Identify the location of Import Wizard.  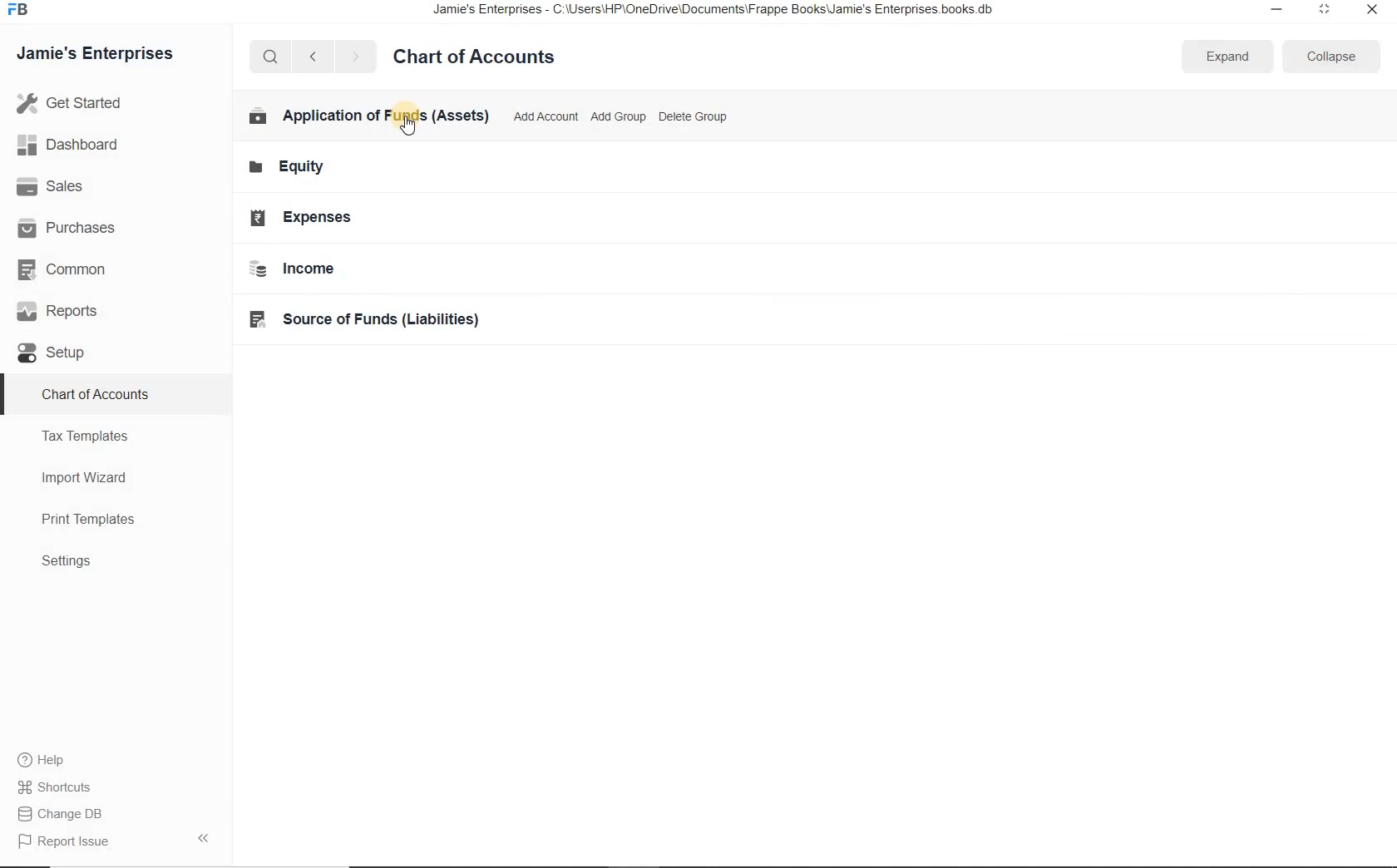
(92, 476).